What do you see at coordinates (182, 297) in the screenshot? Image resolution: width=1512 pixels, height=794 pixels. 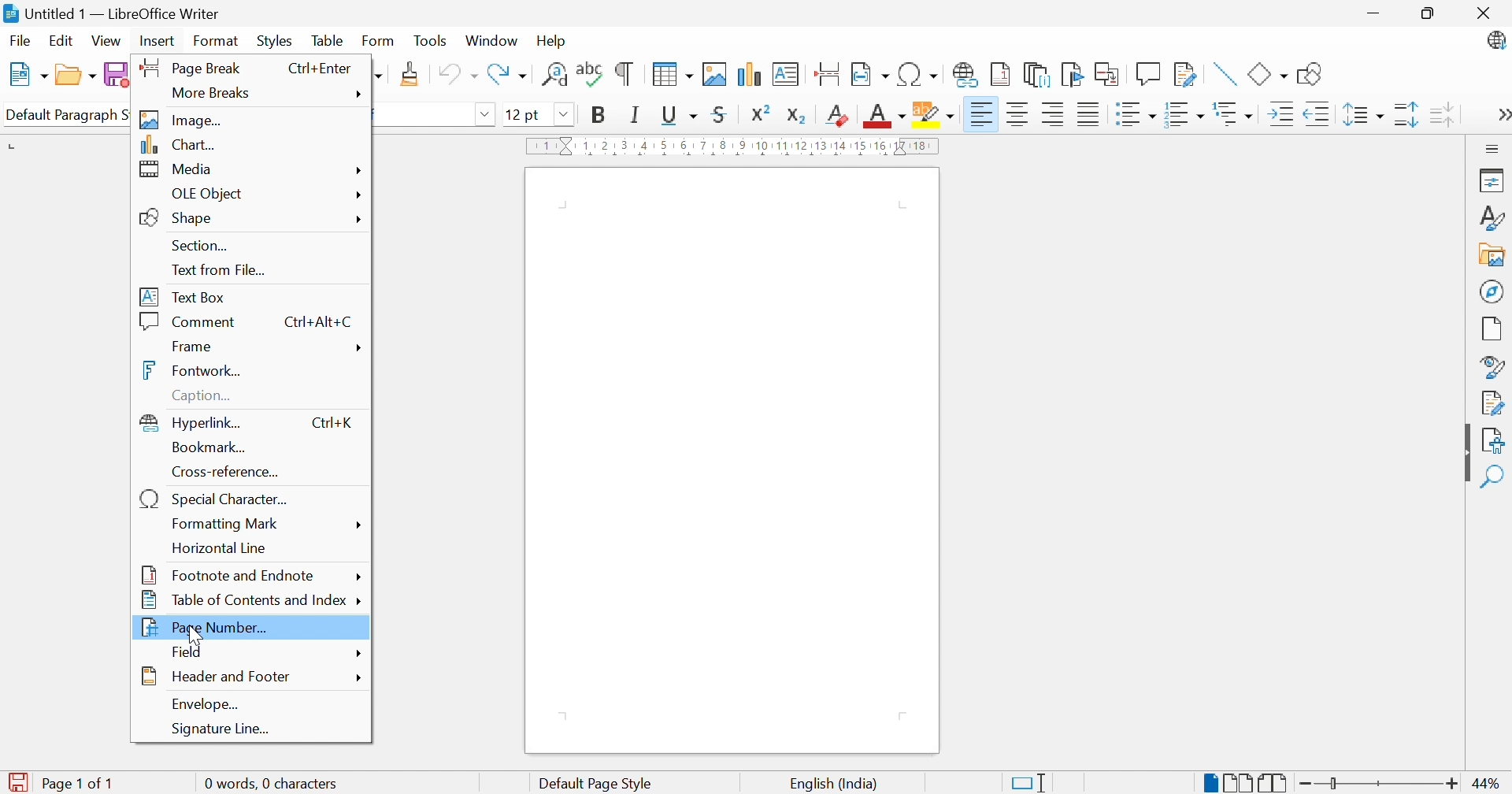 I see `Text box` at bounding box center [182, 297].